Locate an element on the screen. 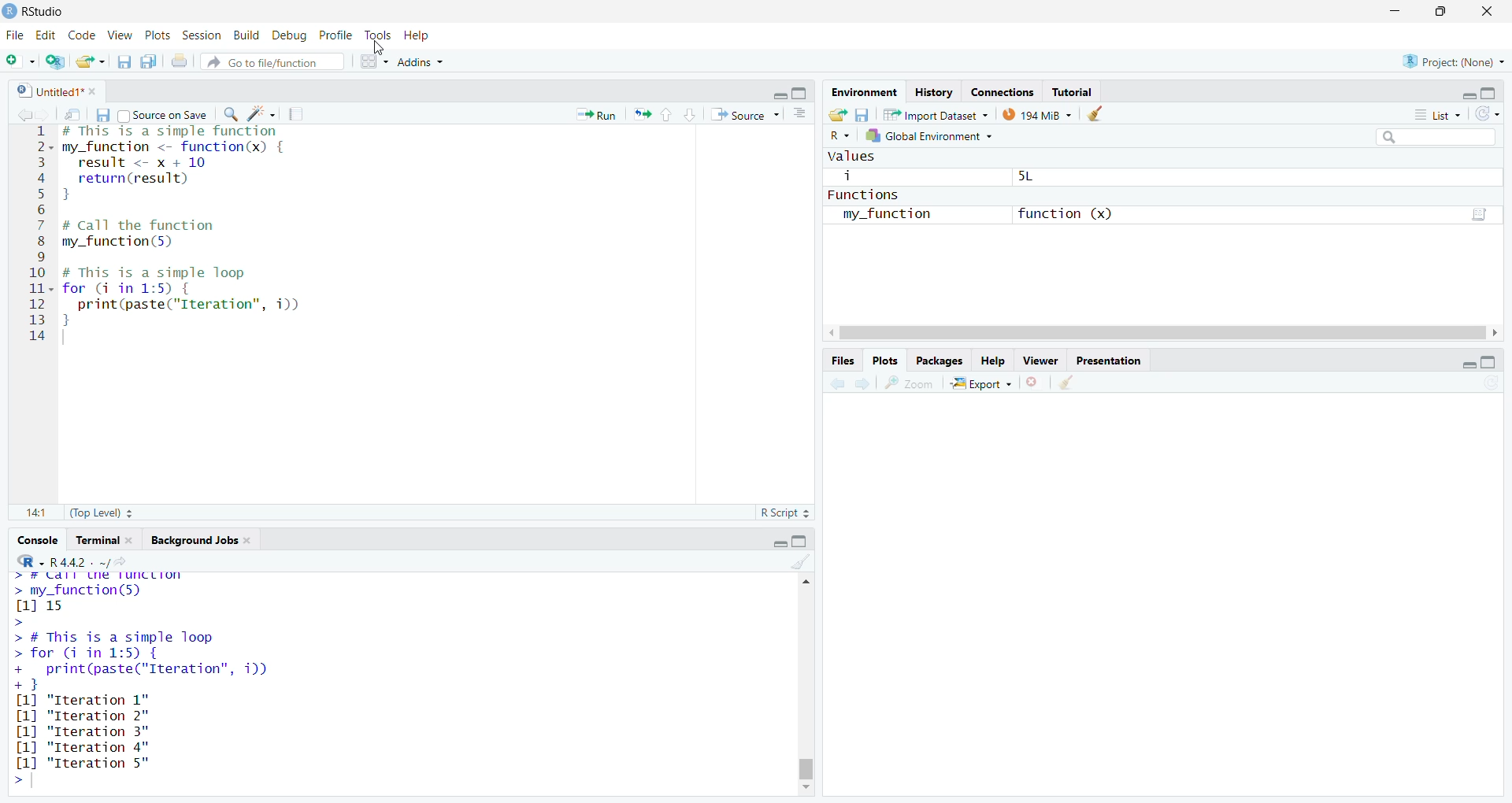 Image resolution: width=1512 pixels, height=803 pixels. project: (None) is located at coordinates (1455, 62).